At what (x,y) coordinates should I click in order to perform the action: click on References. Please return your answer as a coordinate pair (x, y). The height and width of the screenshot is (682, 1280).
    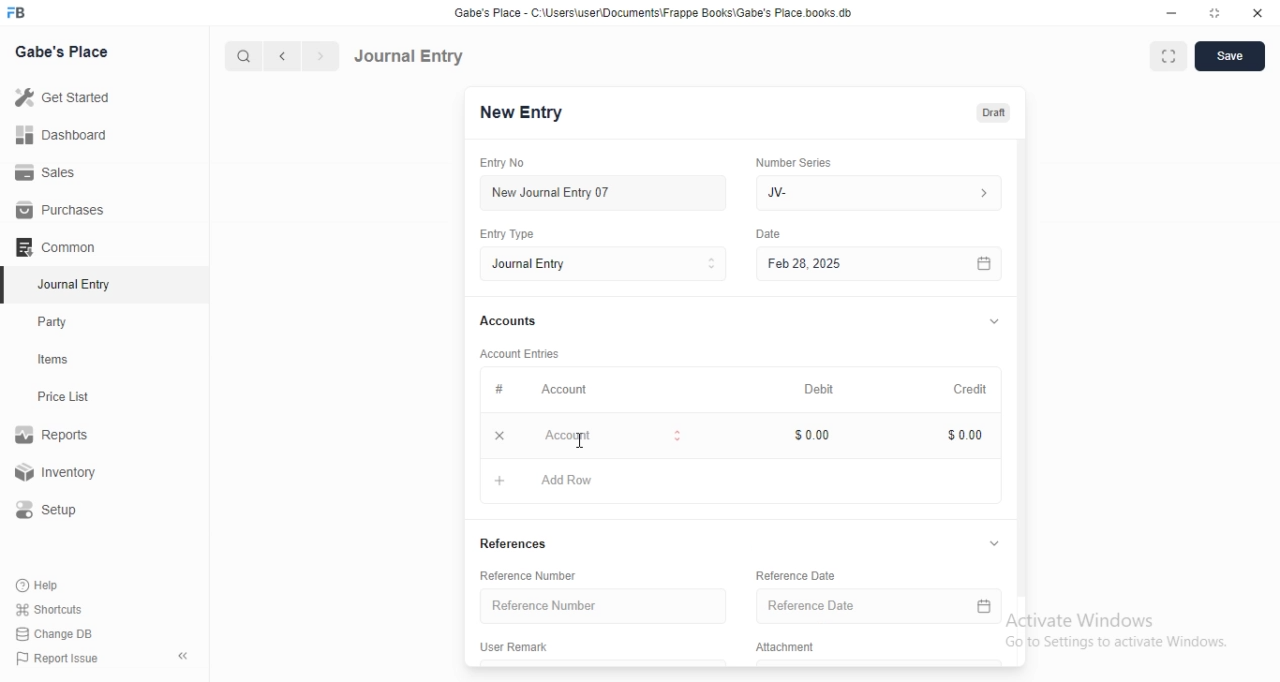
    Looking at the image, I should click on (521, 545).